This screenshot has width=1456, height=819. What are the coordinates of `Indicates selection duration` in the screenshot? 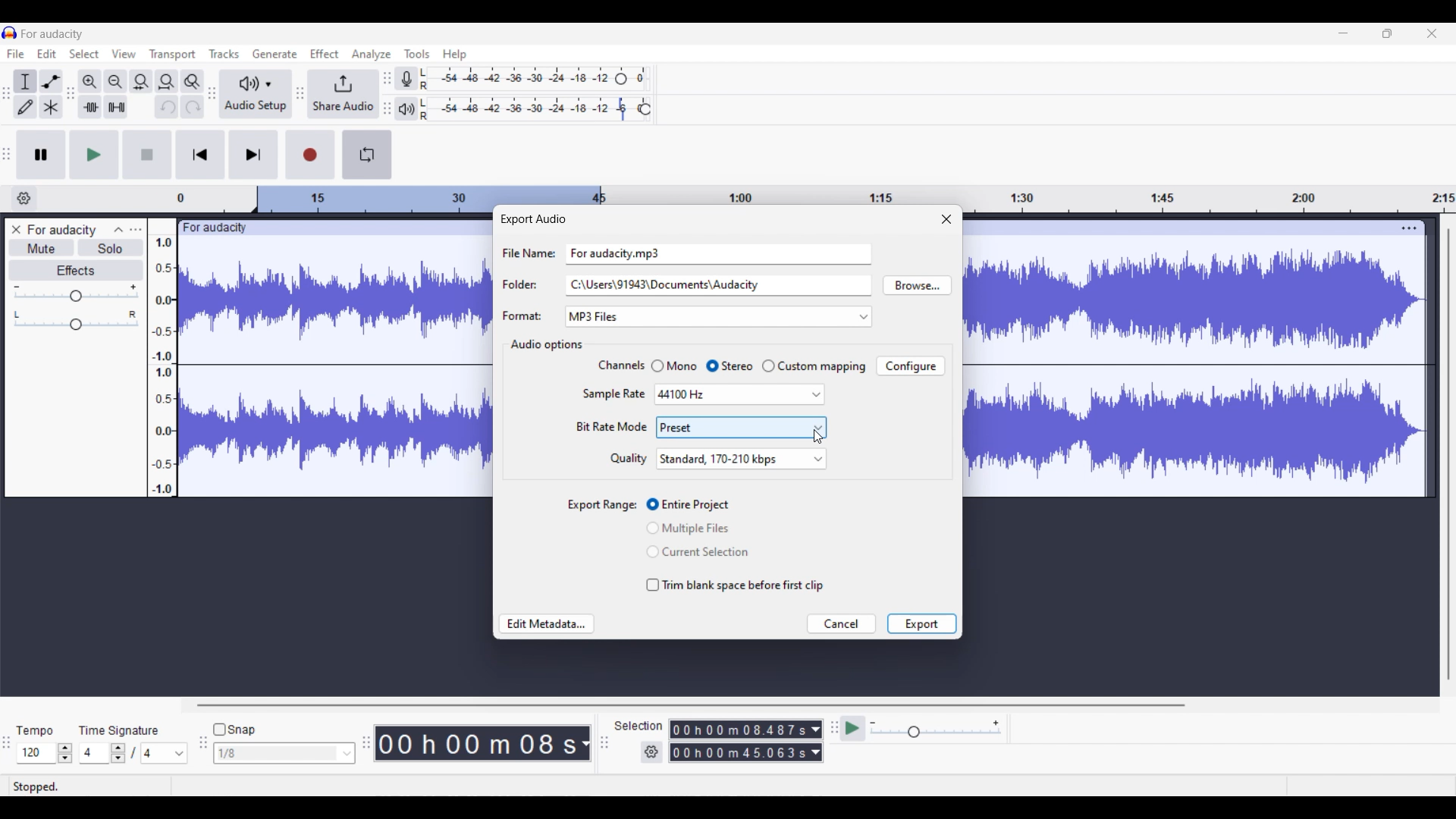 It's located at (639, 726).